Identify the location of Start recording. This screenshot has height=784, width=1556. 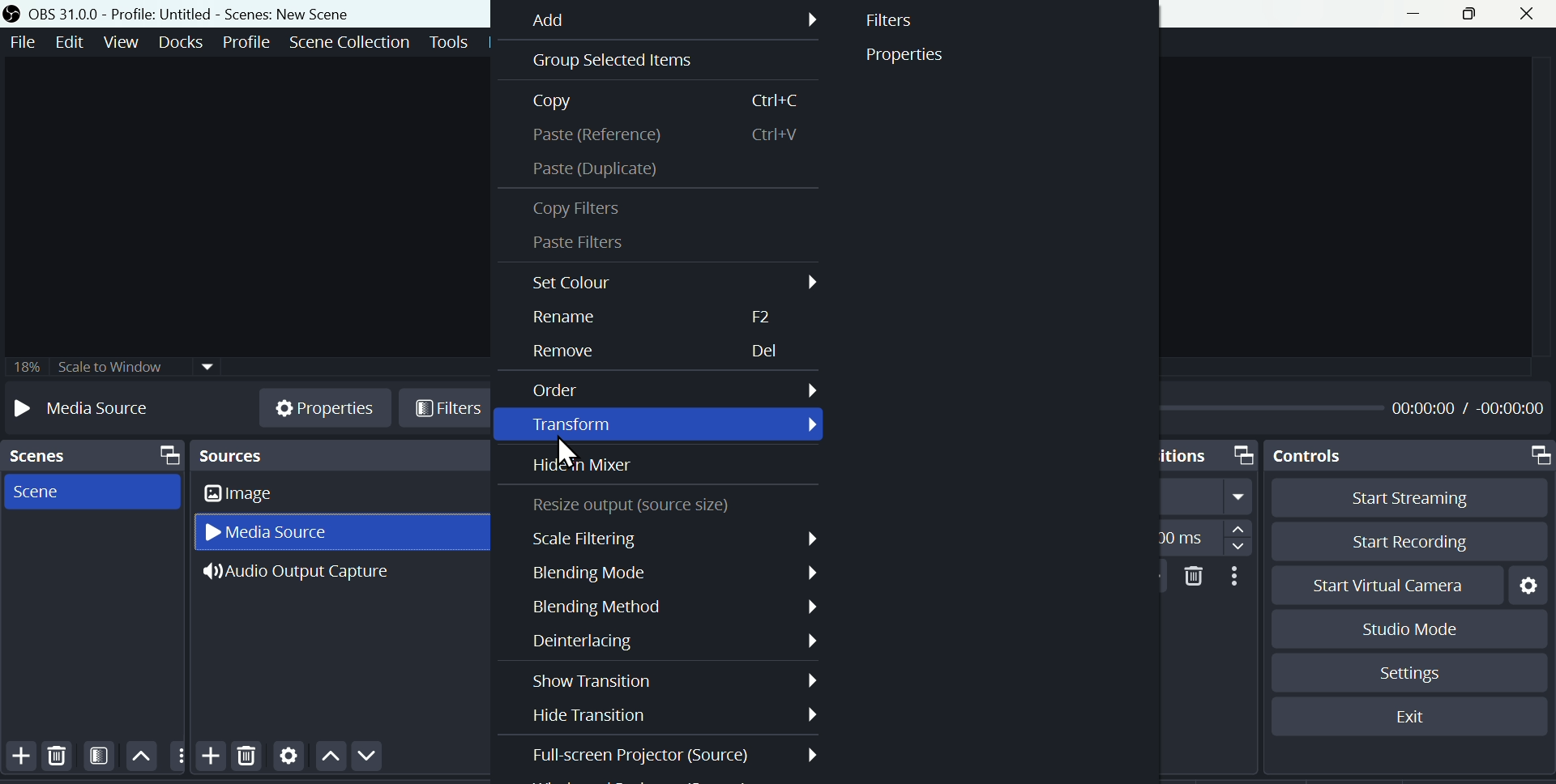
(1399, 539).